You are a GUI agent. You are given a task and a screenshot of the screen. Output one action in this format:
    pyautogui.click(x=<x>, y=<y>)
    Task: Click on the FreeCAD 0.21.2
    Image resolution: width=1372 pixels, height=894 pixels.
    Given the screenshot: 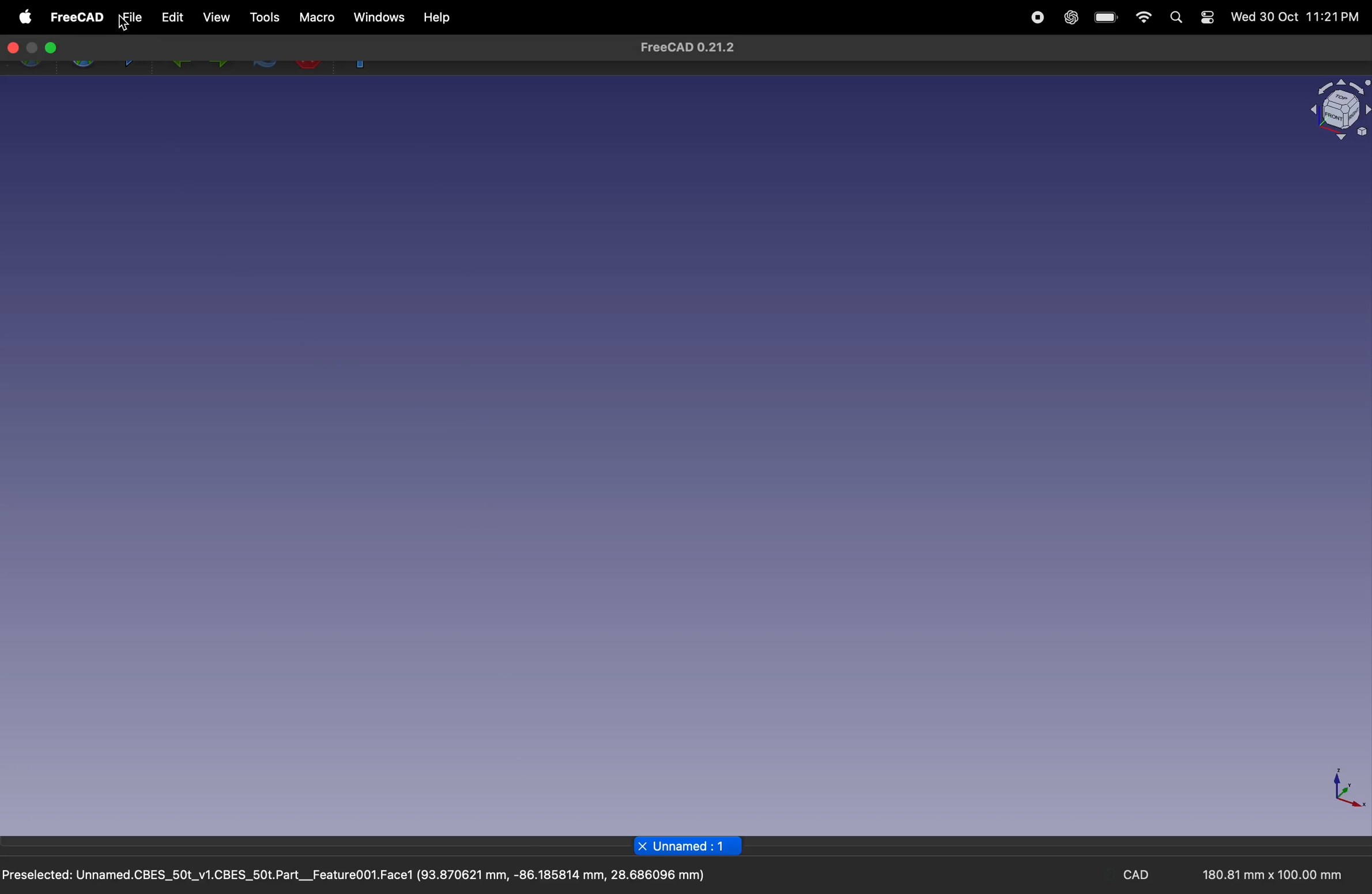 What is the action you would take?
    pyautogui.click(x=687, y=48)
    